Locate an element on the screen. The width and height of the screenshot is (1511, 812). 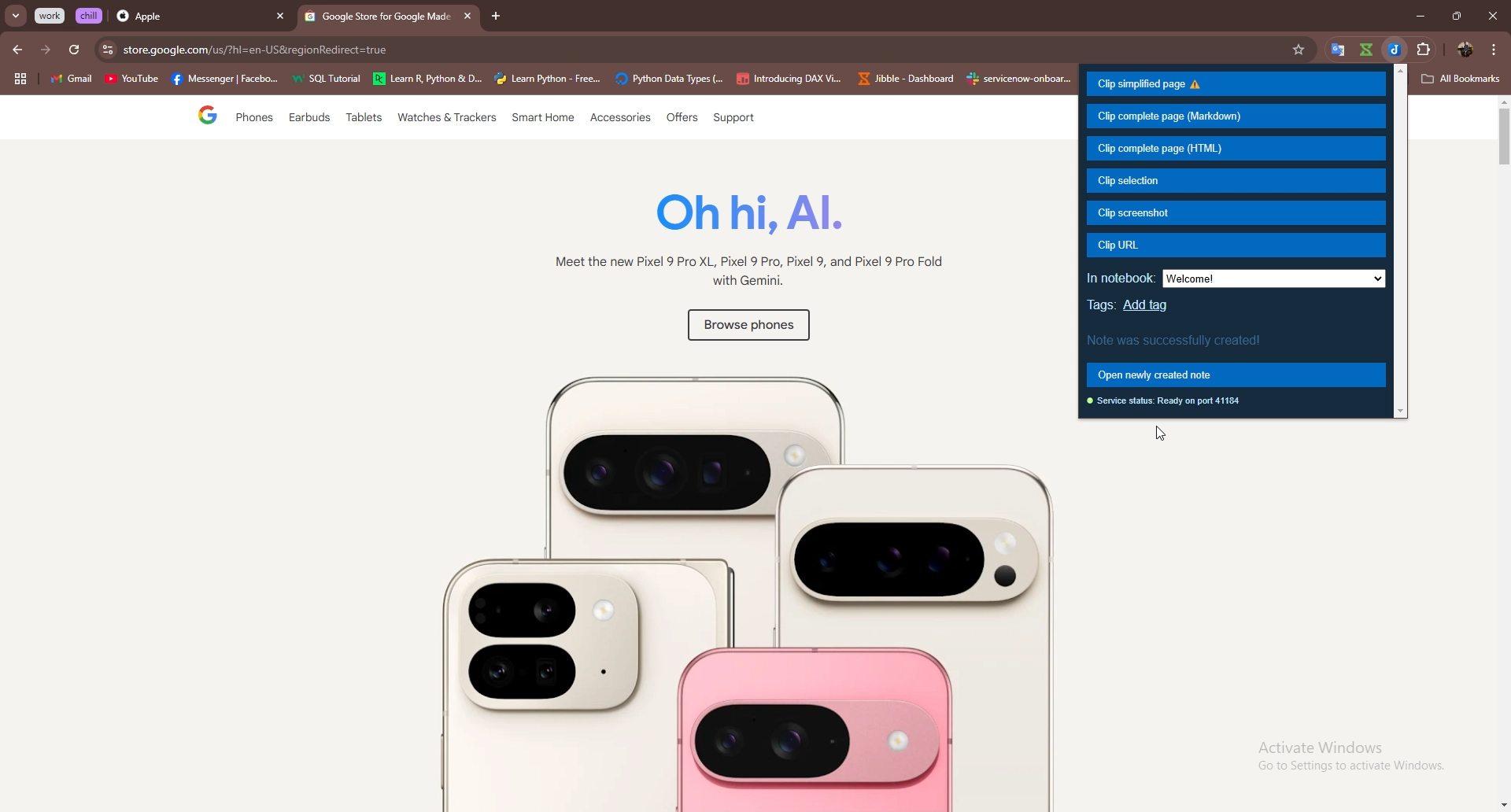
Tablets is located at coordinates (363, 120).